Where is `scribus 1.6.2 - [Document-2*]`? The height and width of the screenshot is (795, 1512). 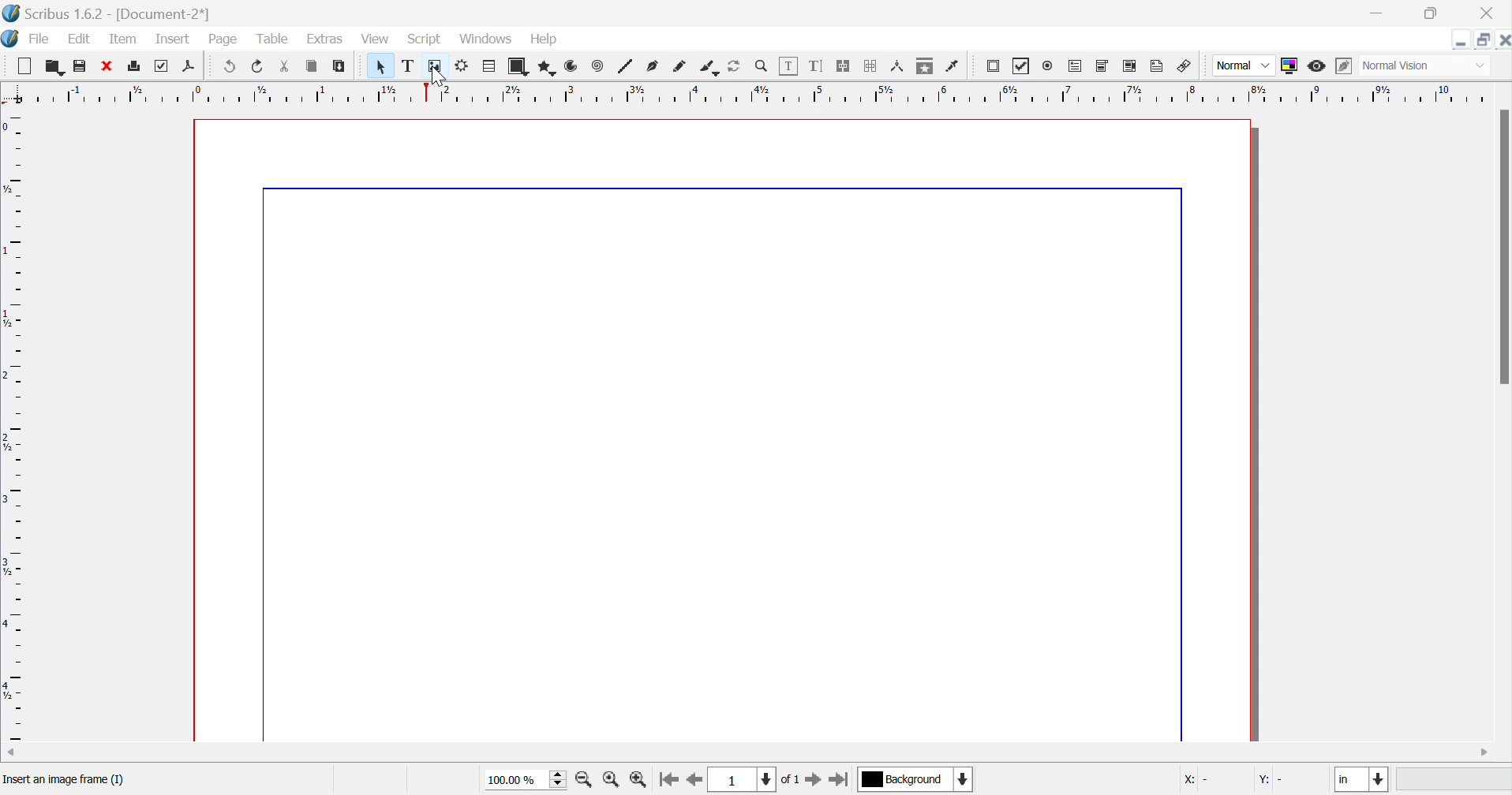
scribus 1.6.2 - [Document-2*] is located at coordinates (108, 14).